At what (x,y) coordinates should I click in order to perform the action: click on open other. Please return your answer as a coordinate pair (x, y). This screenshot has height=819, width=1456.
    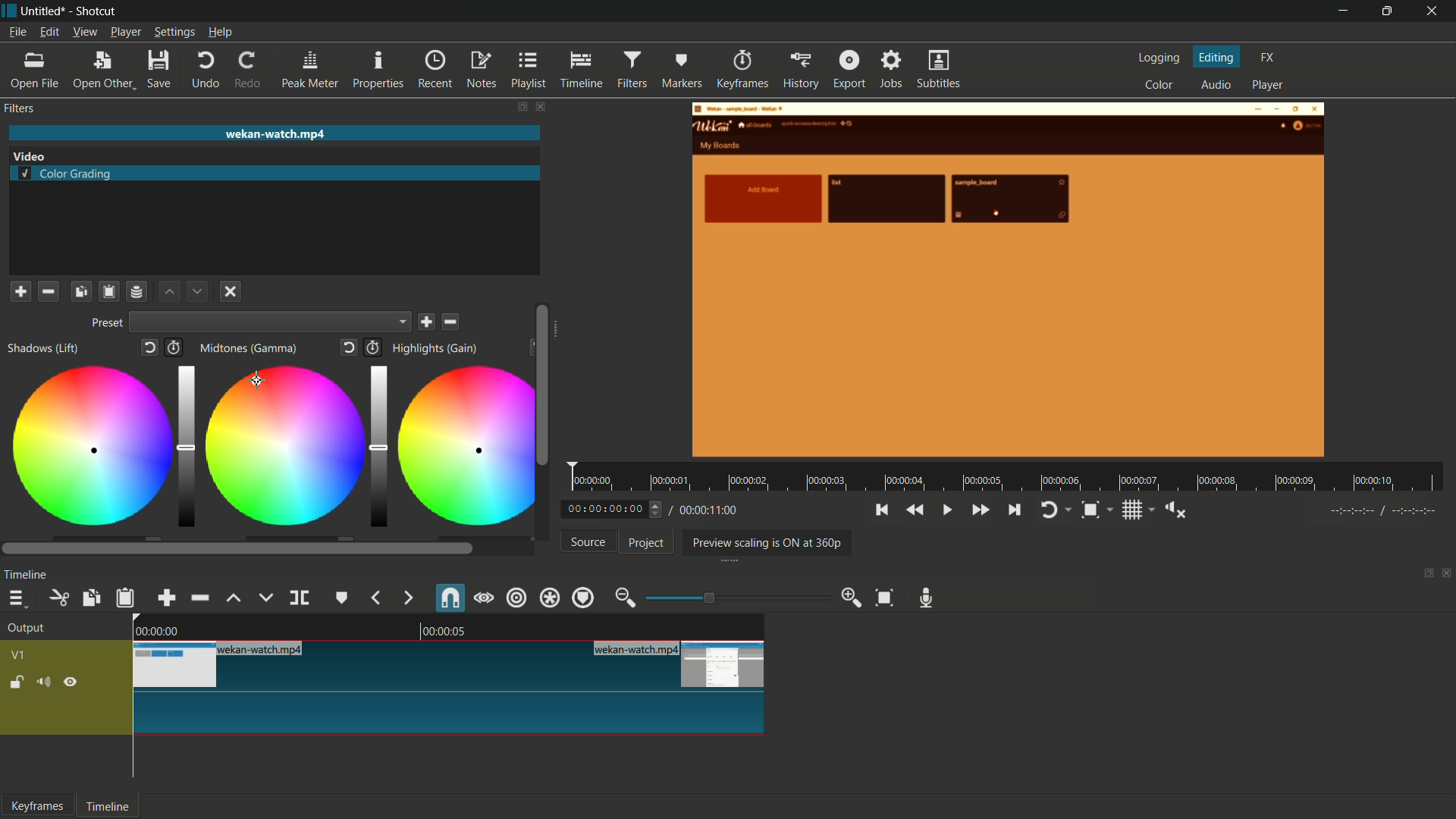
    Looking at the image, I should click on (103, 71).